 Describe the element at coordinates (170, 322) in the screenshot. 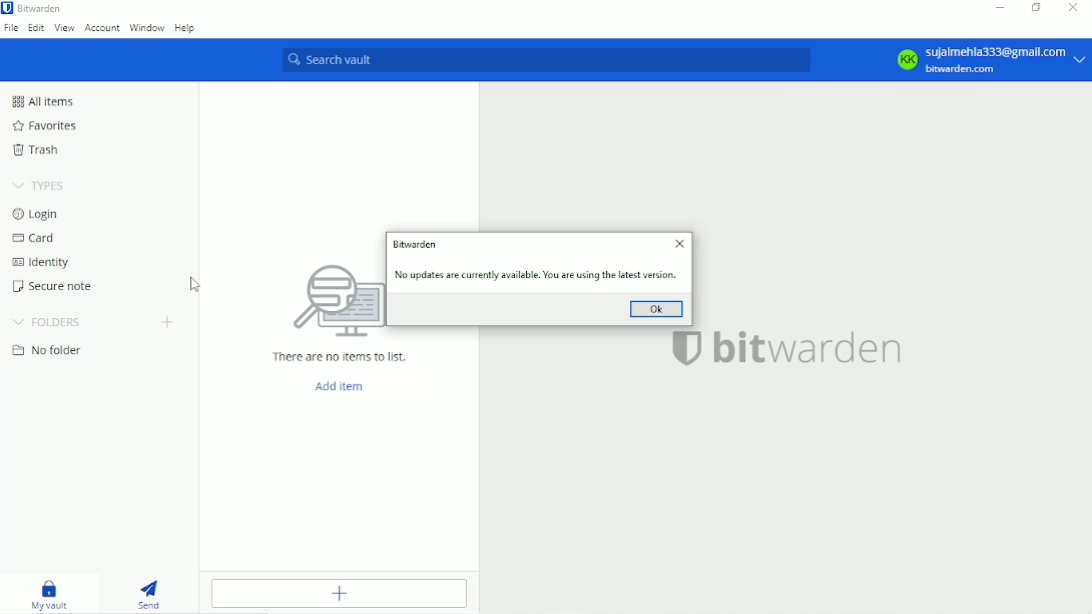

I see `Create folder` at that location.